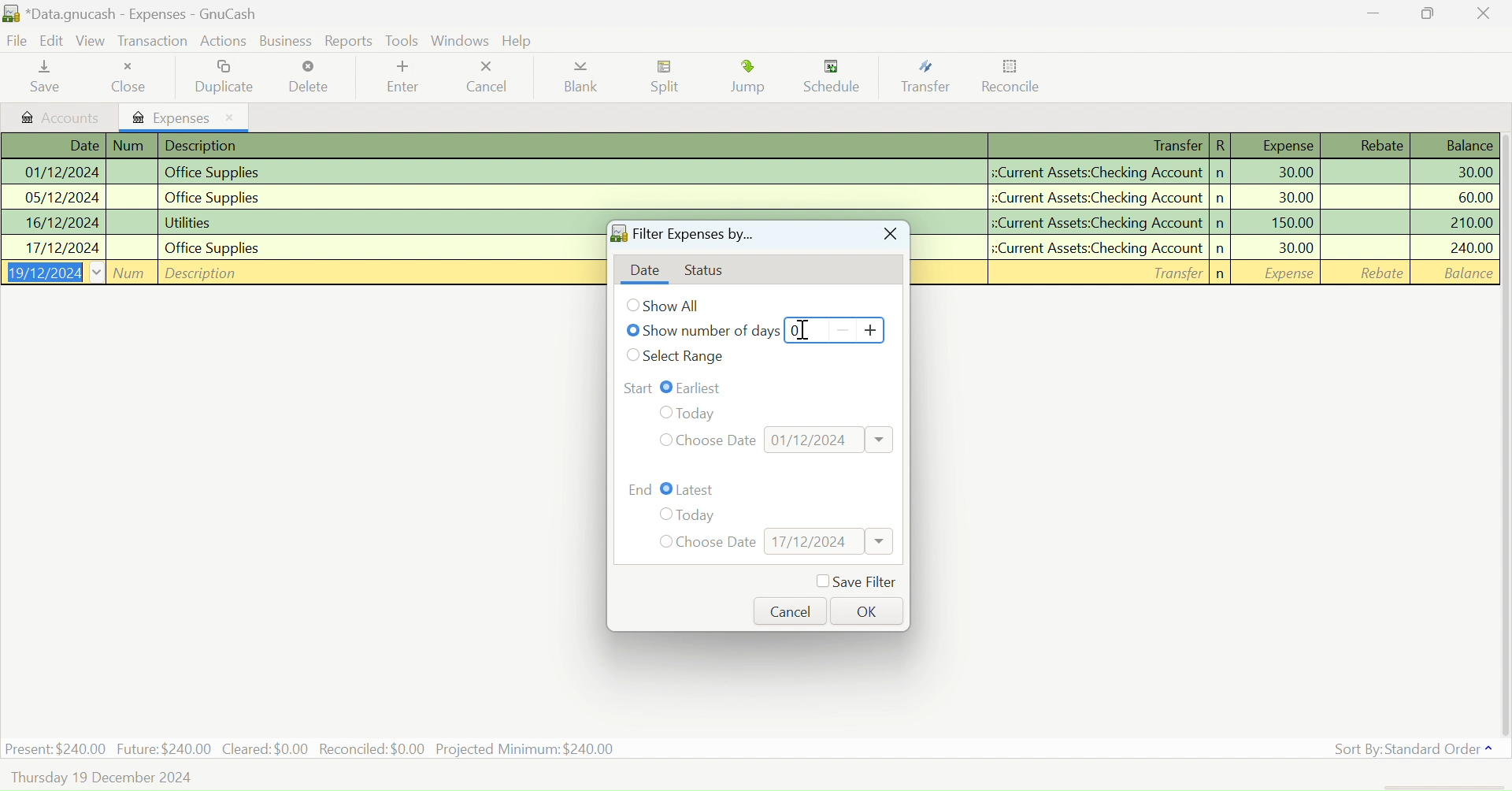 This screenshot has width=1512, height=791. Describe the element at coordinates (1410, 749) in the screenshot. I see `Sort By: Standard Order` at that location.